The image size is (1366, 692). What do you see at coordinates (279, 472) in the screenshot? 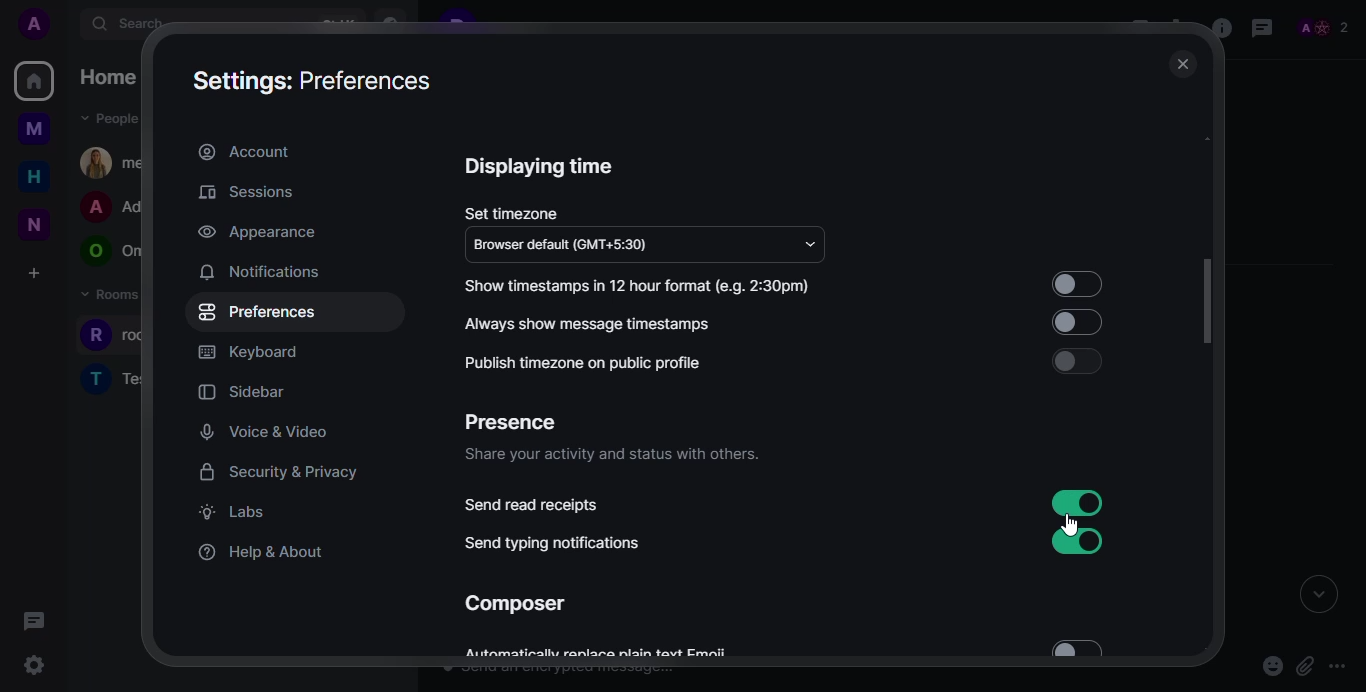
I see `security` at bounding box center [279, 472].